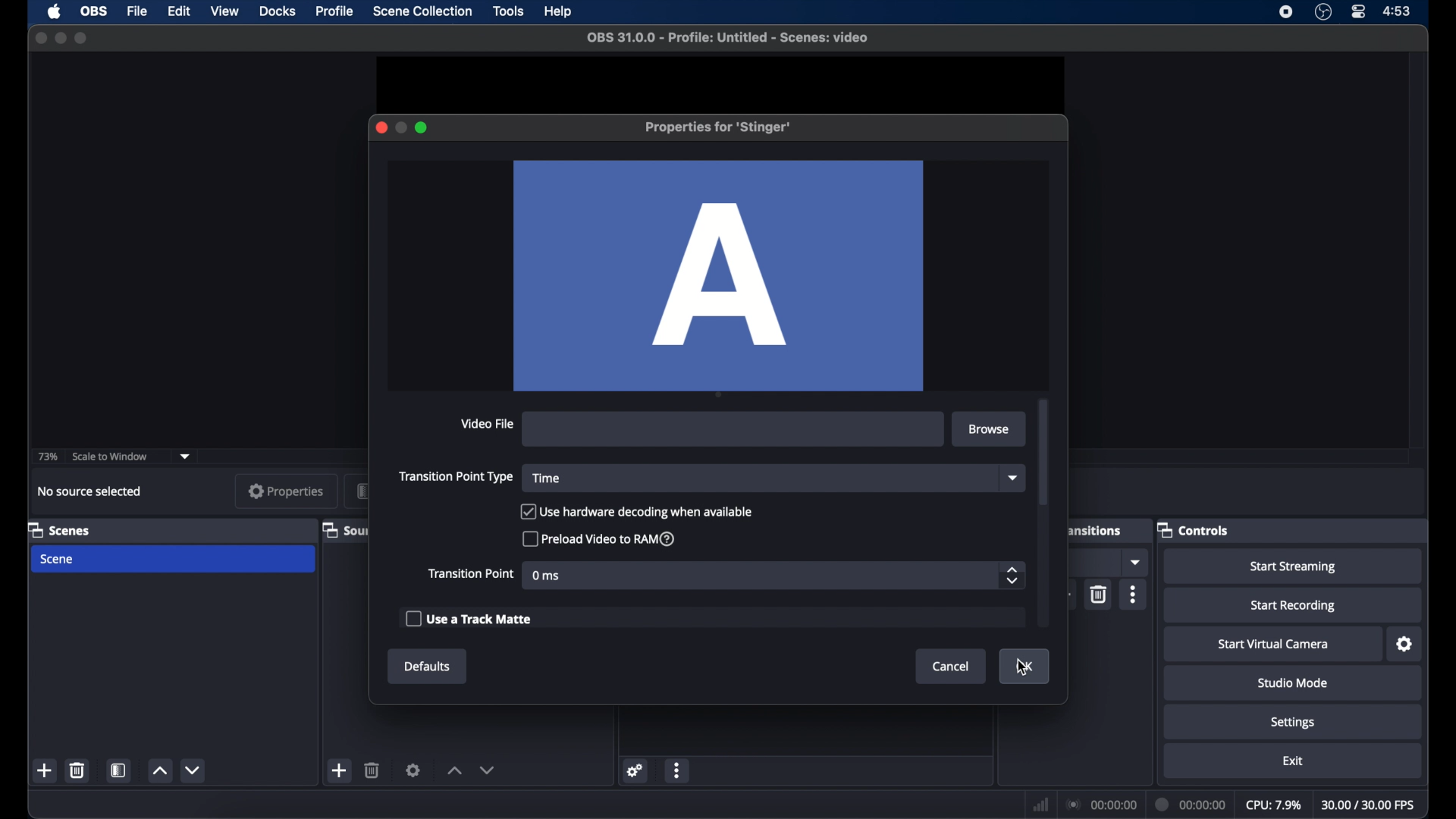 The width and height of the screenshot is (1456, 819). What do you see at coordinates (1039, 803) in the screenshot?
I see `network` at bounding box center [1039, 803].